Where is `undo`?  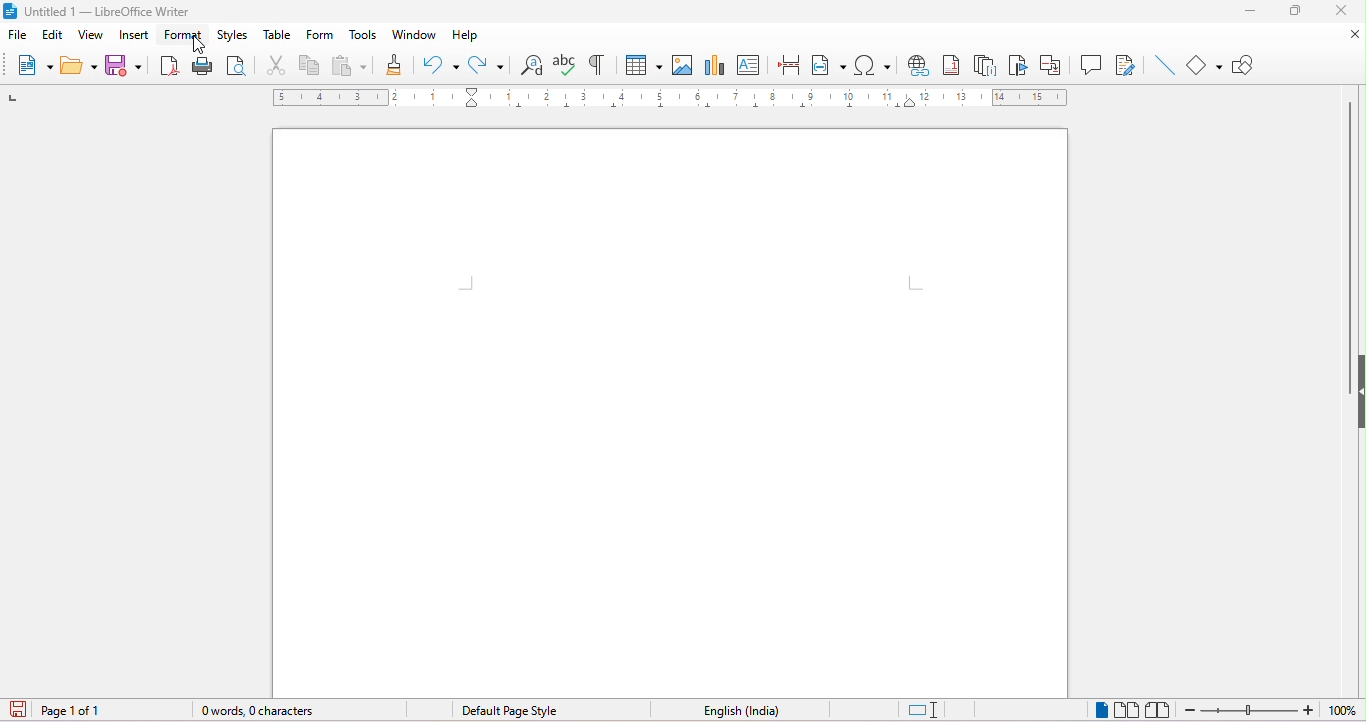 undo is located at coordinates (440, 64).